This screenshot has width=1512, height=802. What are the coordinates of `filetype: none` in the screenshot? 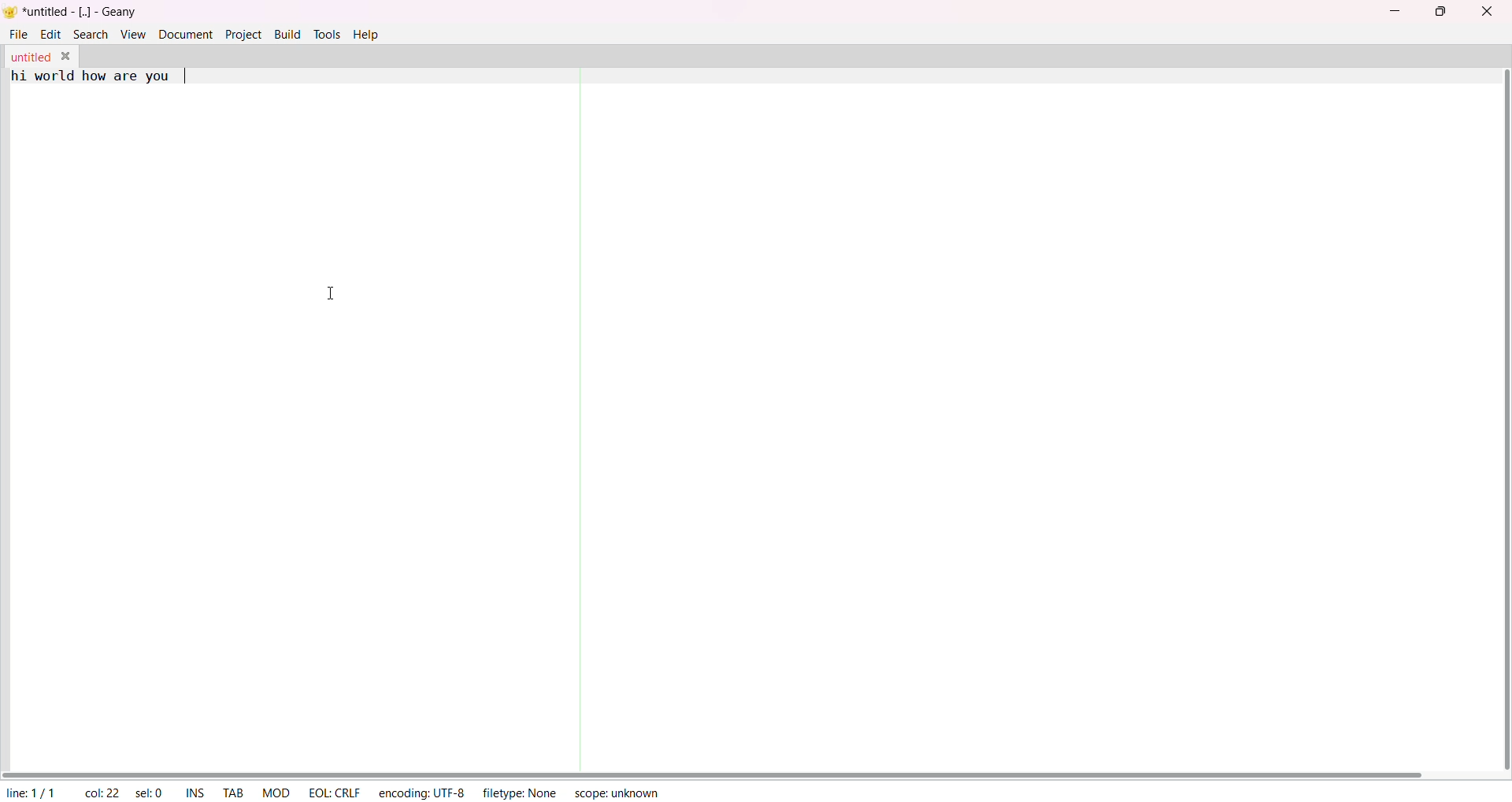 It's located at (519, 793).